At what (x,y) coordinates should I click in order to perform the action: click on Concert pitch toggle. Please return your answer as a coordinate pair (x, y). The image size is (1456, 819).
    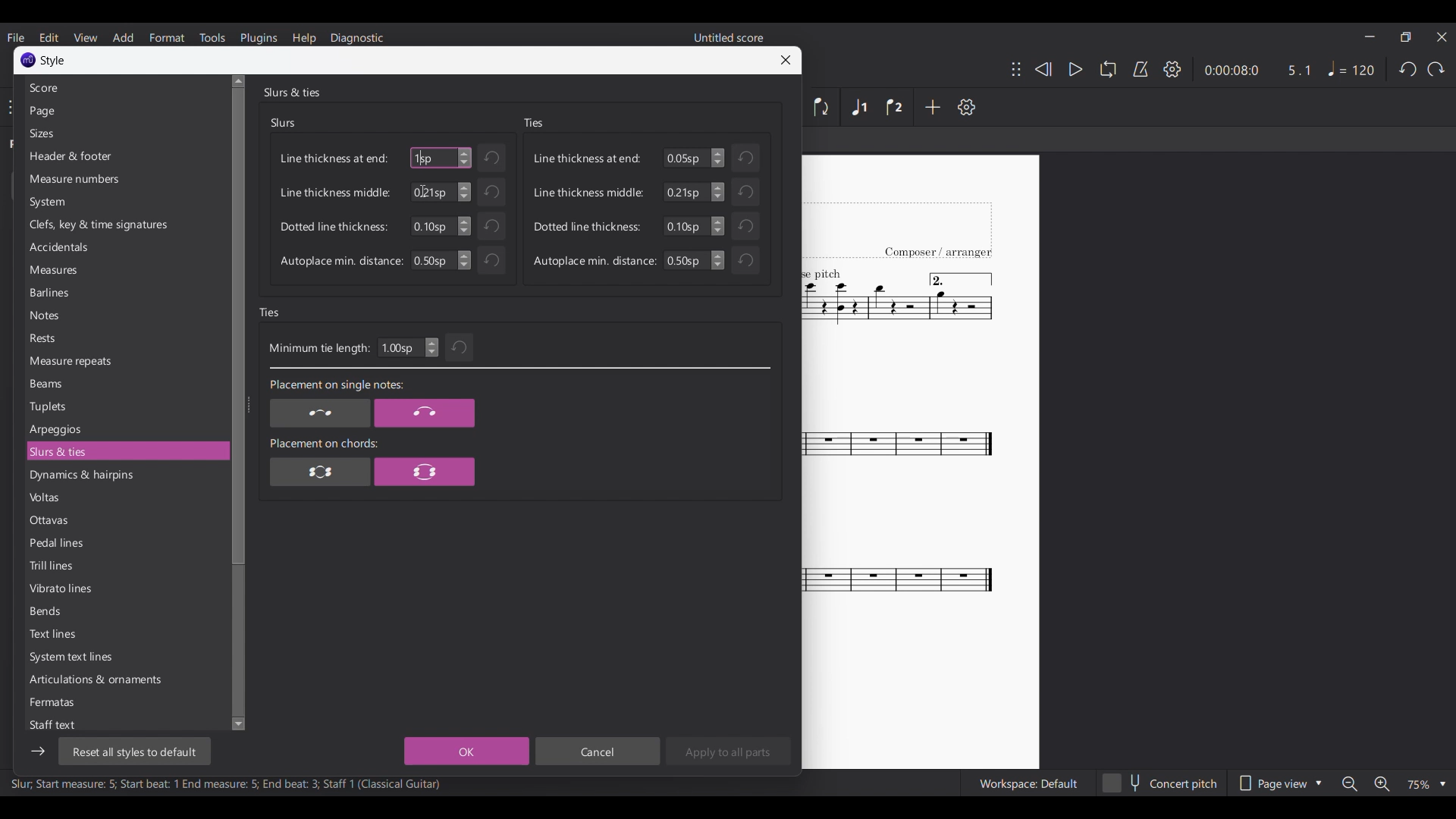
    Looking at the image, I should click on (1161, 783).